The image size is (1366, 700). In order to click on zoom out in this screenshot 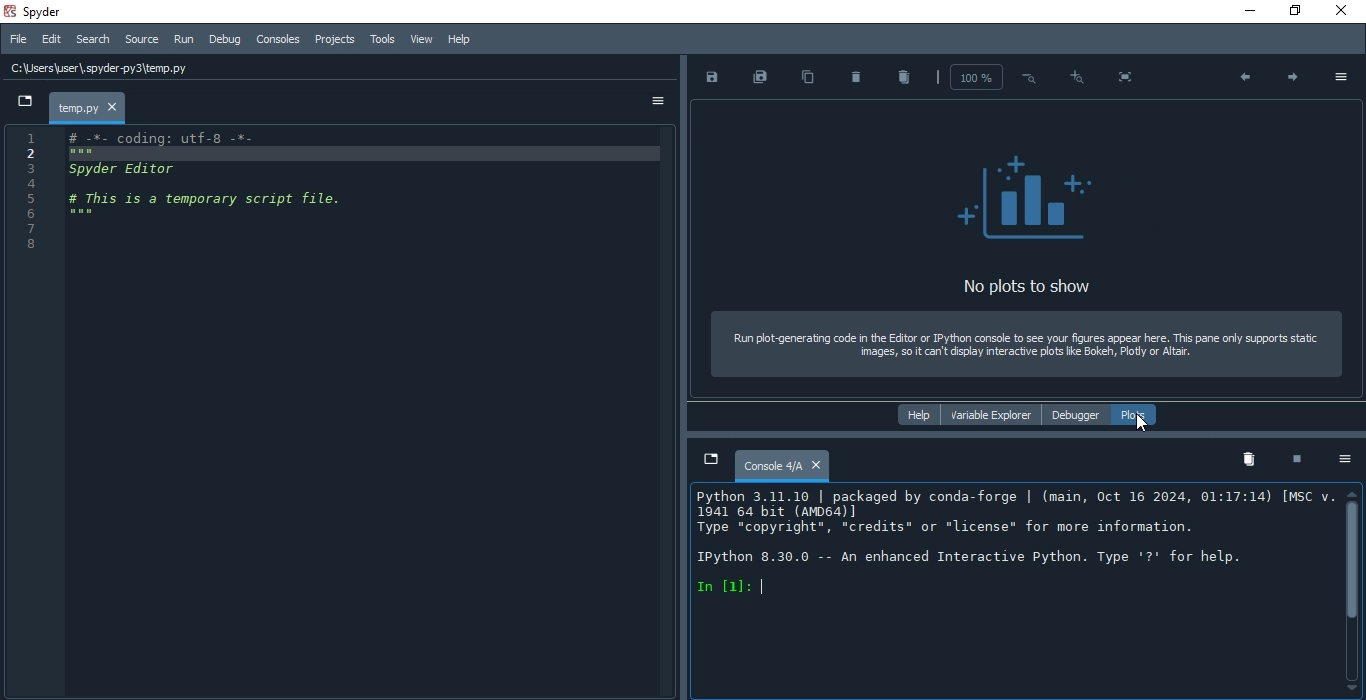, I will do `click(1030, 74)`.